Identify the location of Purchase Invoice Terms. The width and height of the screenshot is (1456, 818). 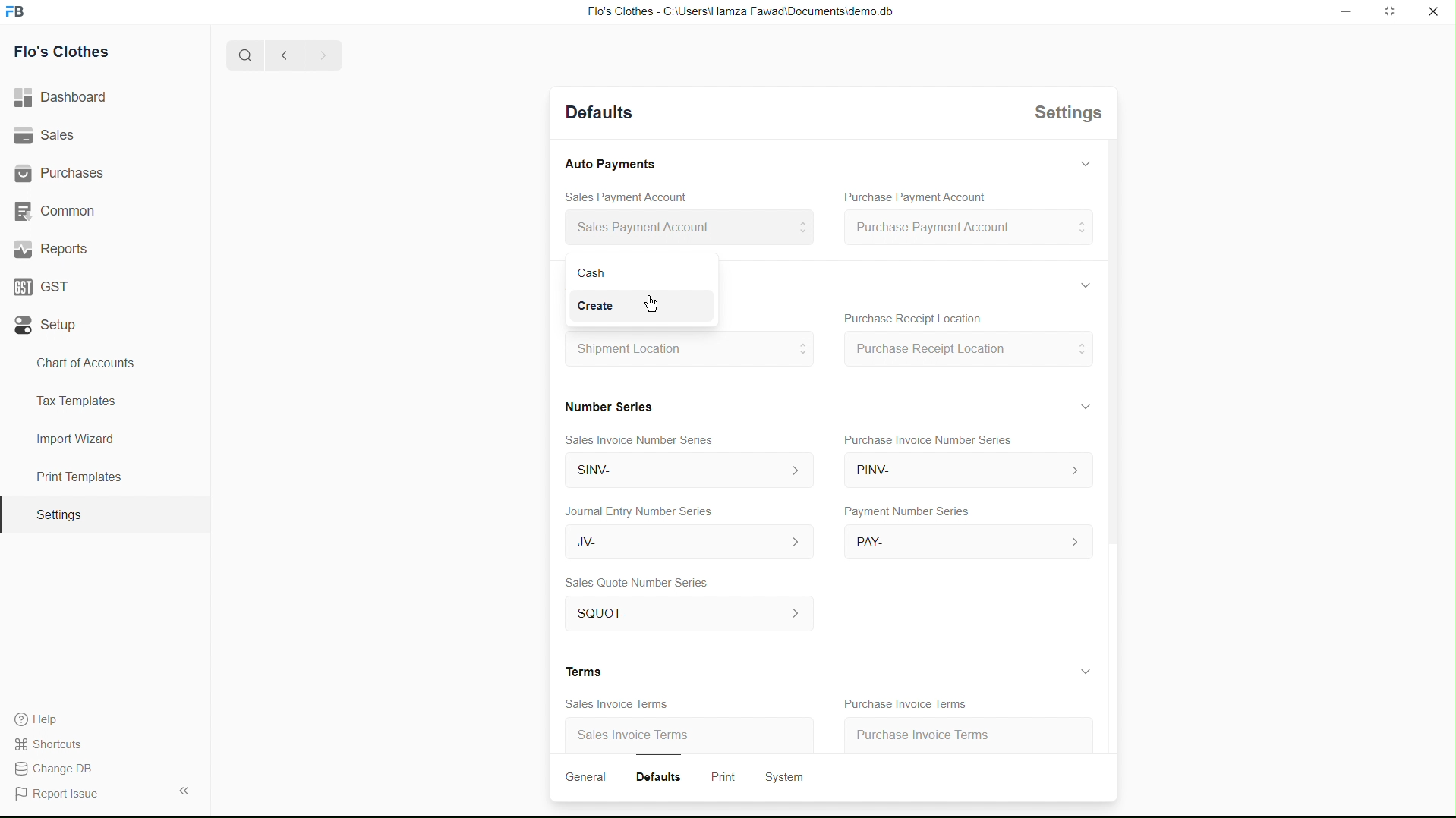
(909, 704).